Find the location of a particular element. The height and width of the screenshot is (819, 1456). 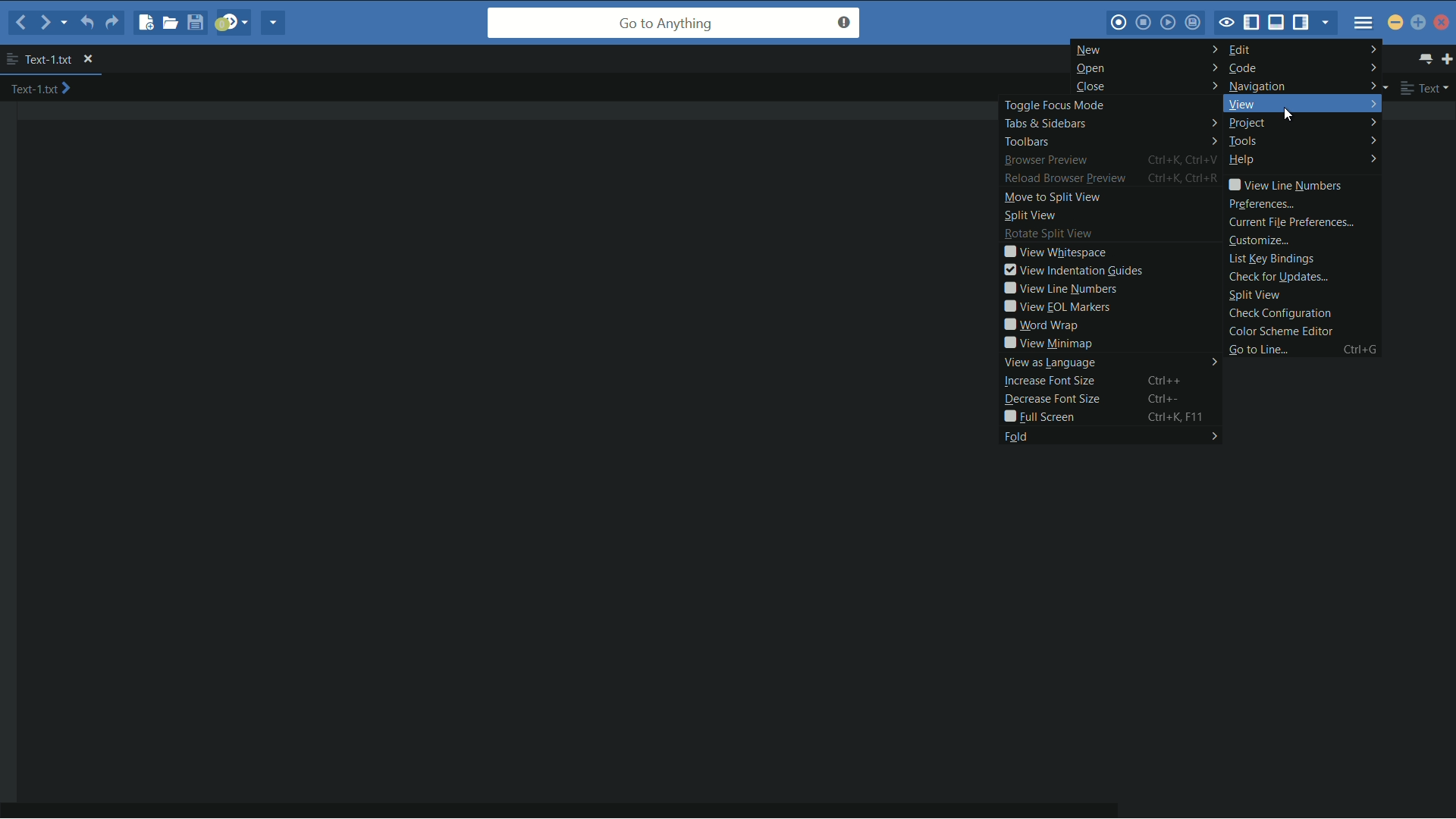

close is located at coordinates (97, 58).